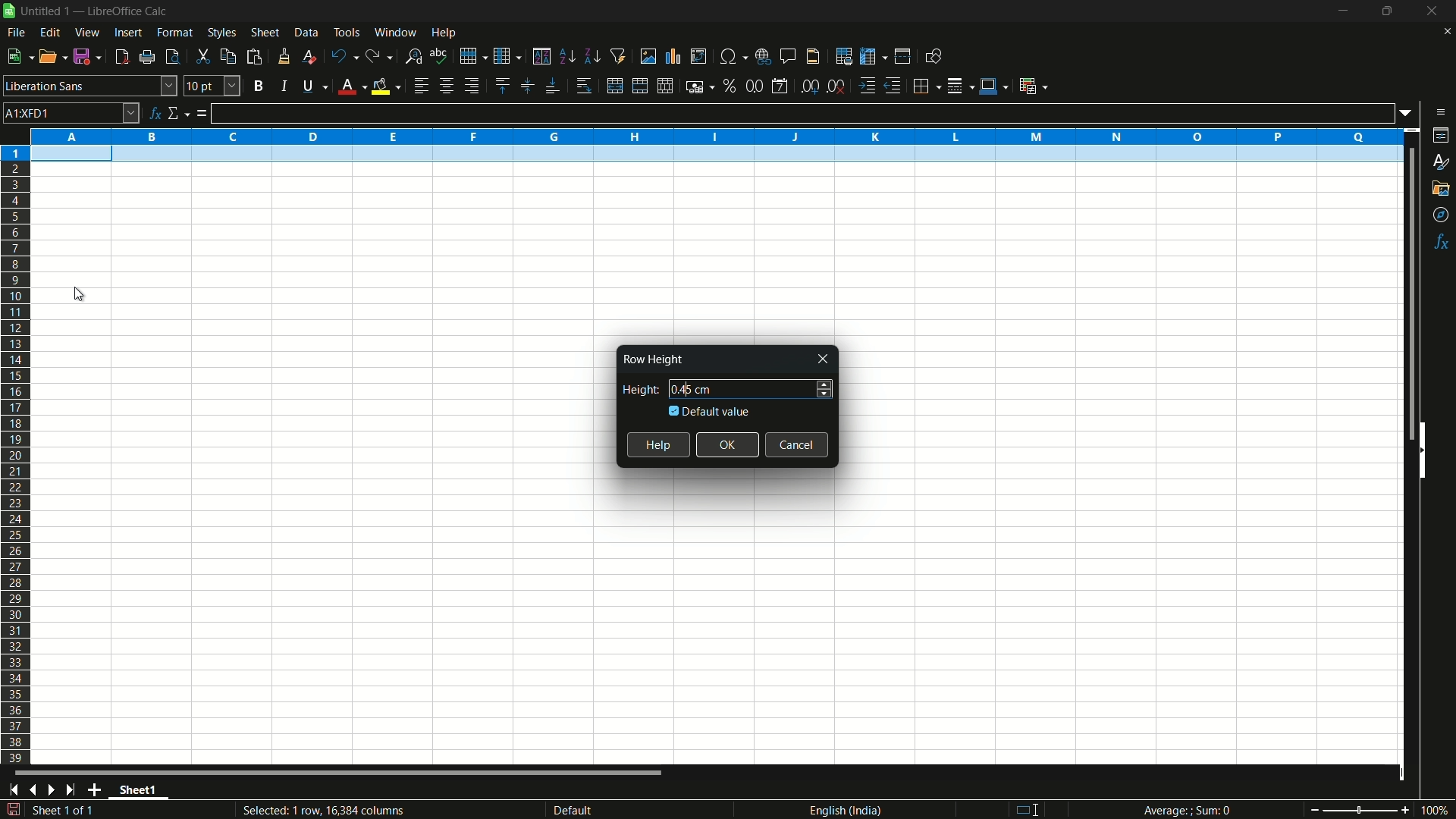  I want to click on tools menu, so click(346, 32).